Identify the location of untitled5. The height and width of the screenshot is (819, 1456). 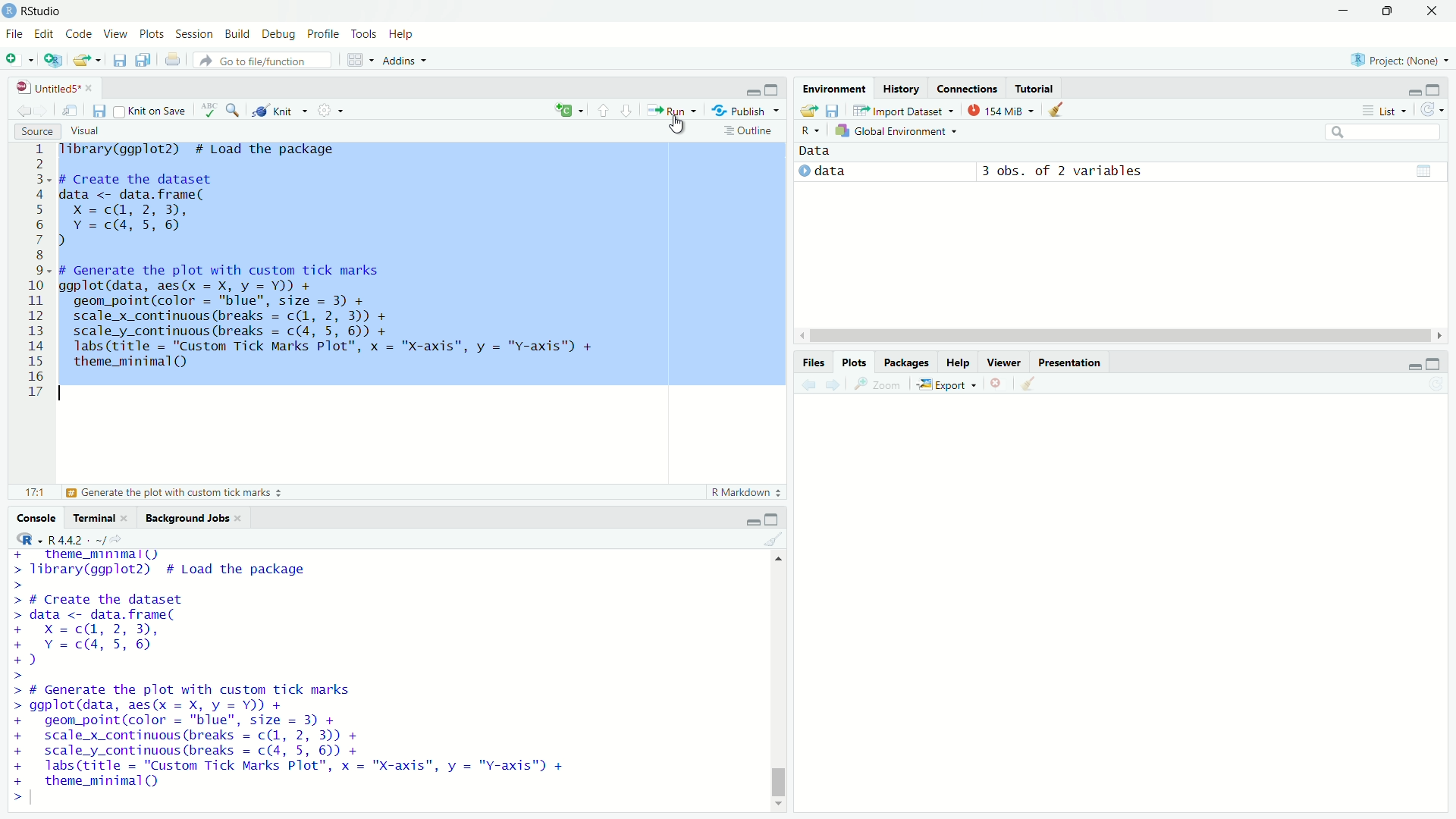
(39, 87).